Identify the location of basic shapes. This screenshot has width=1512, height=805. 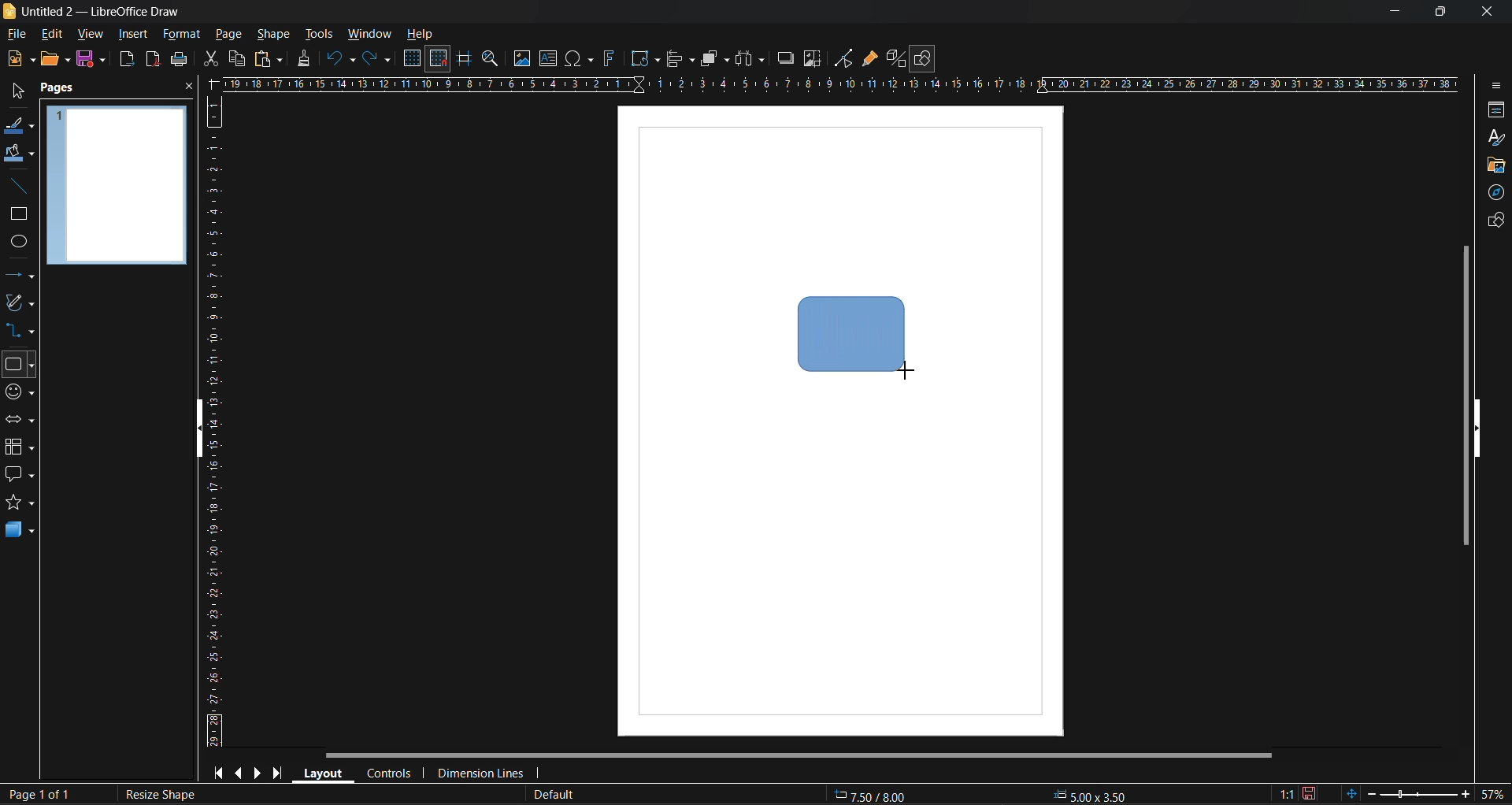
(18, 365).